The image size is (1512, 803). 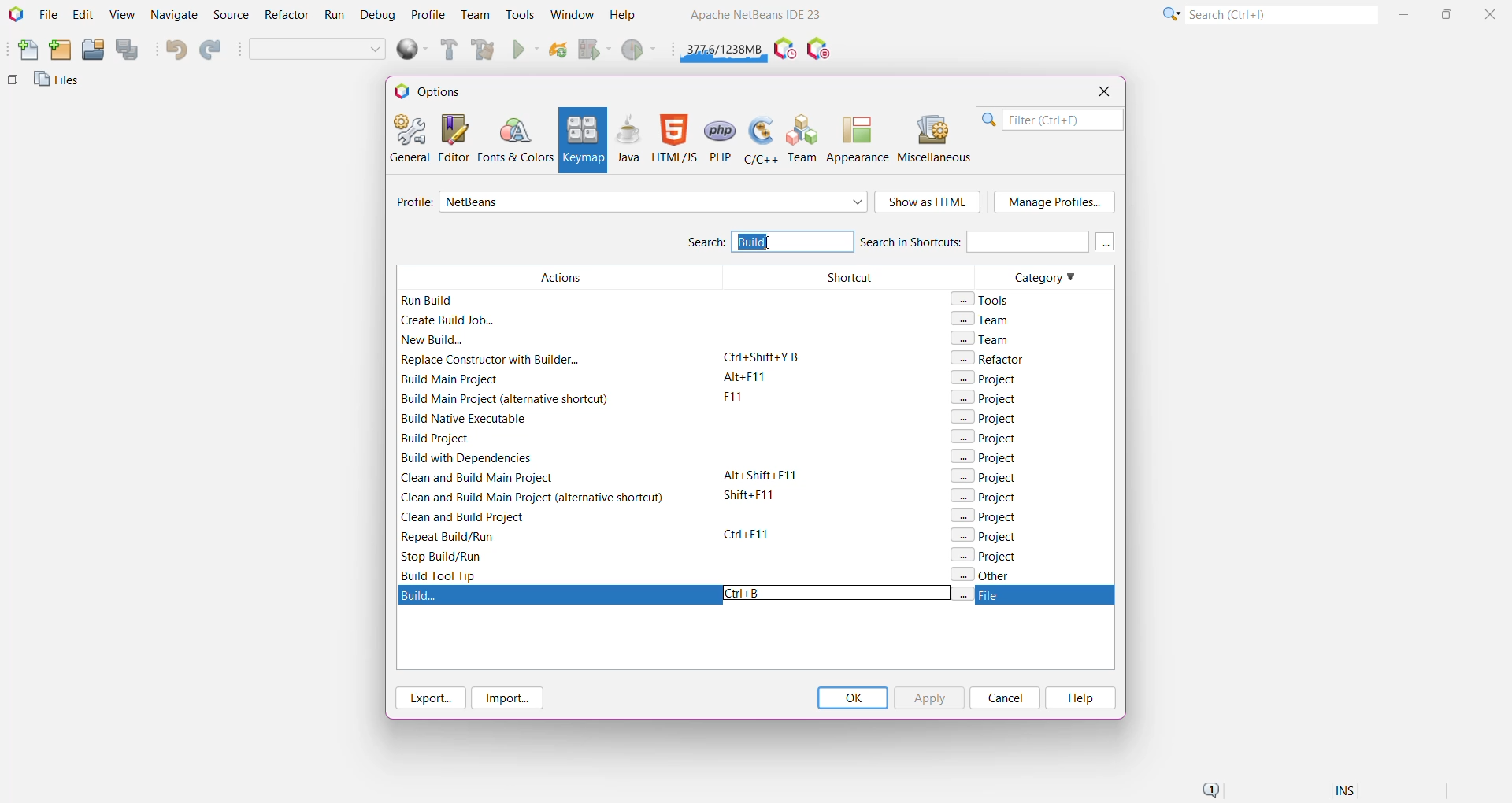 I want to click on Keyboard Shortcut set for Build Action, so click(x=756, y=597).